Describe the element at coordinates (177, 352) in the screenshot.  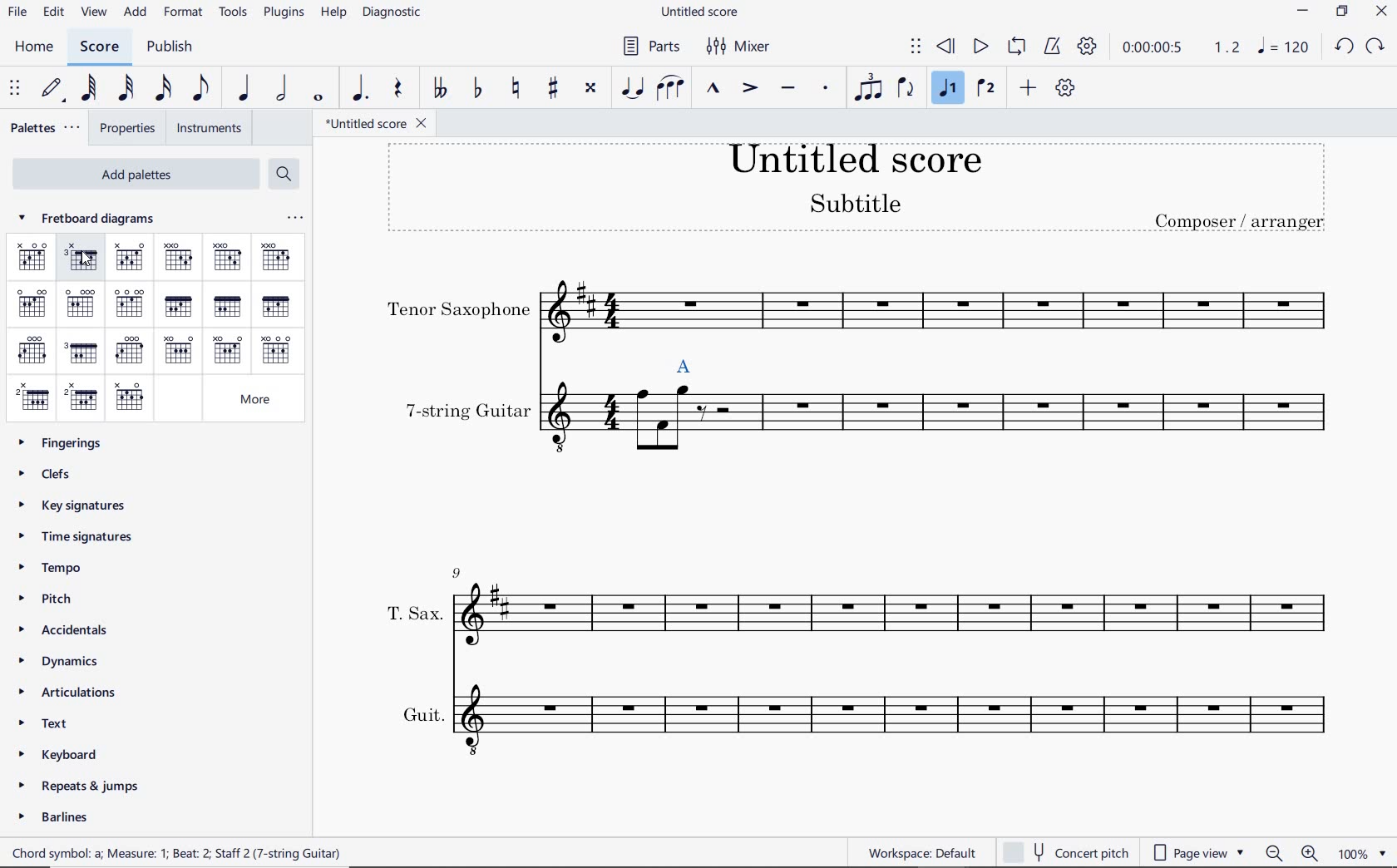
I see `A` at that location.